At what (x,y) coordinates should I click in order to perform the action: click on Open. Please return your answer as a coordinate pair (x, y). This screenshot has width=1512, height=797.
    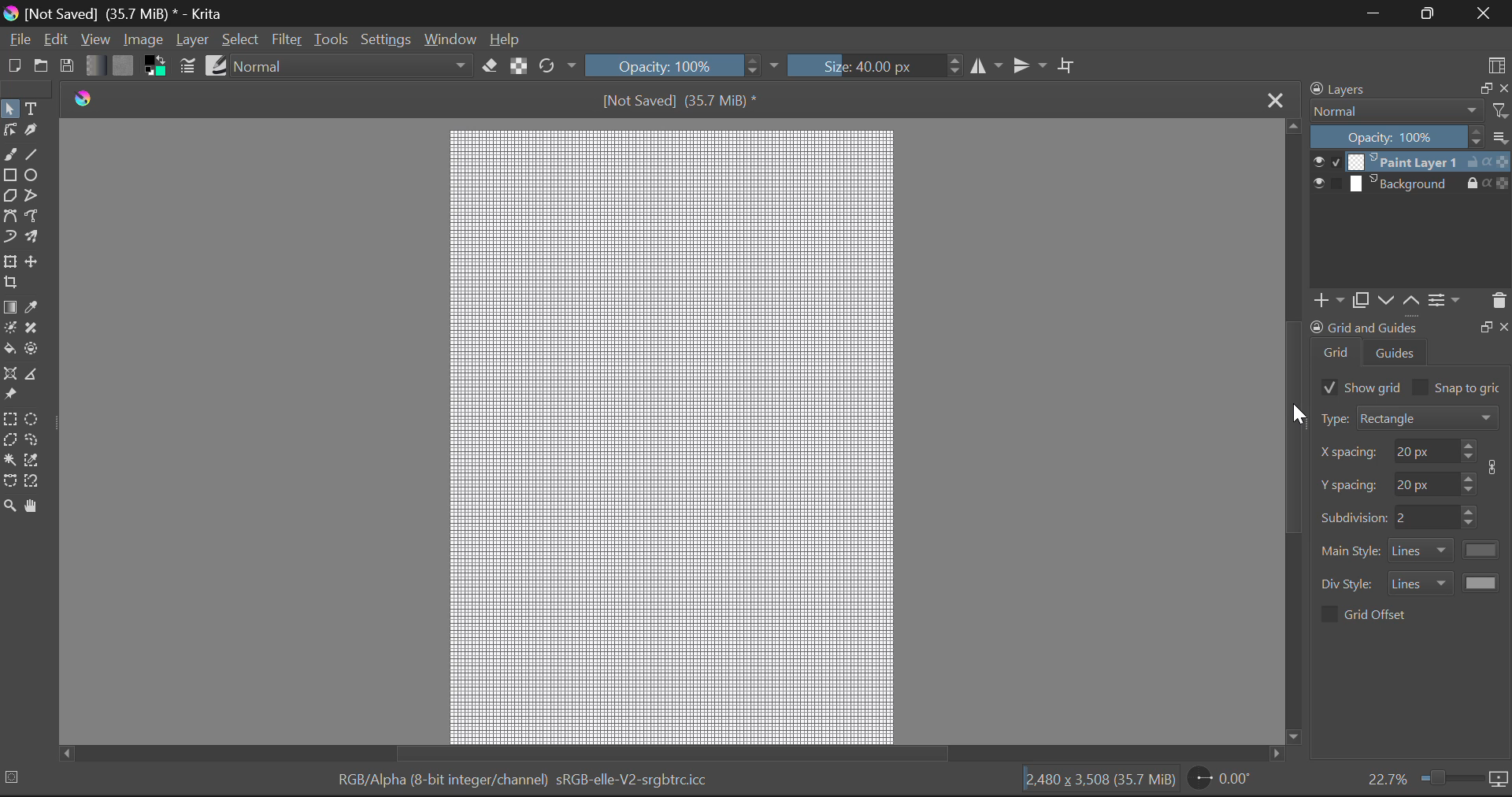
    Looking at the image, I should click on (41, 68).